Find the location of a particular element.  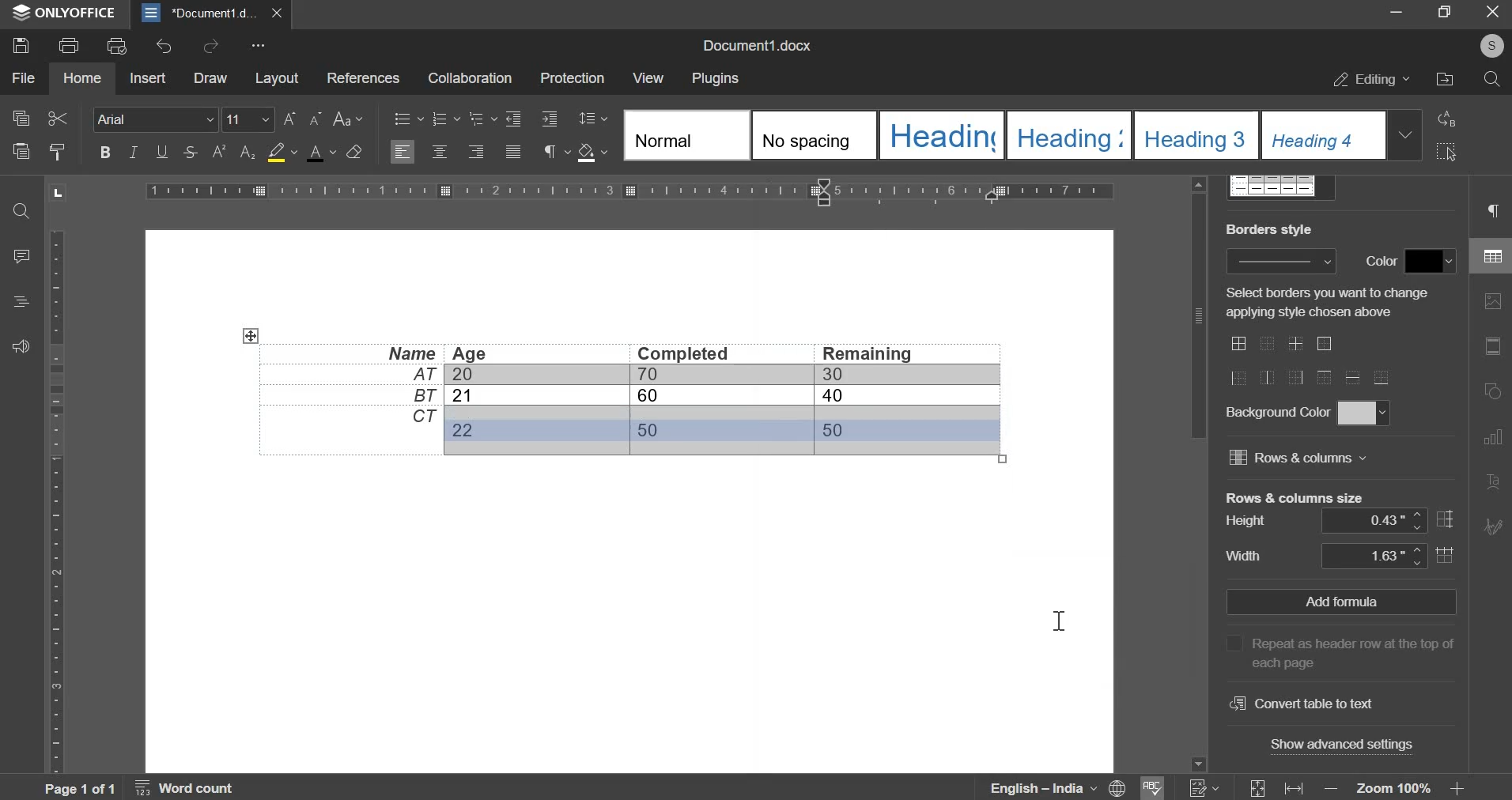

multilevel list is located at coordinates (481, 119).